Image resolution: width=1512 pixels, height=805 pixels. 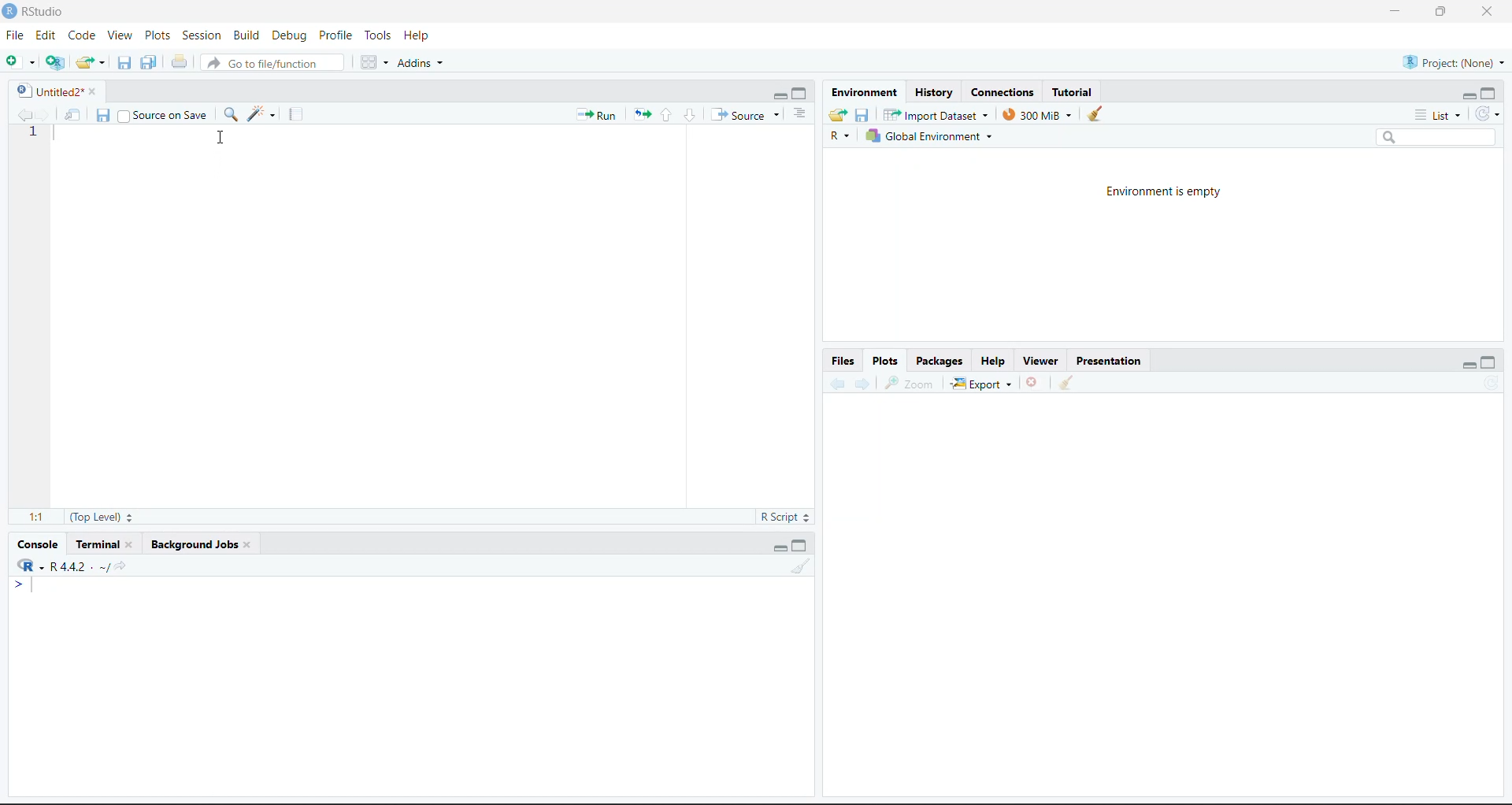 What do you see at coordinates (664, 117) in the screenshot?
I see `go to next section/chunk` at bounding box center [664, 117].